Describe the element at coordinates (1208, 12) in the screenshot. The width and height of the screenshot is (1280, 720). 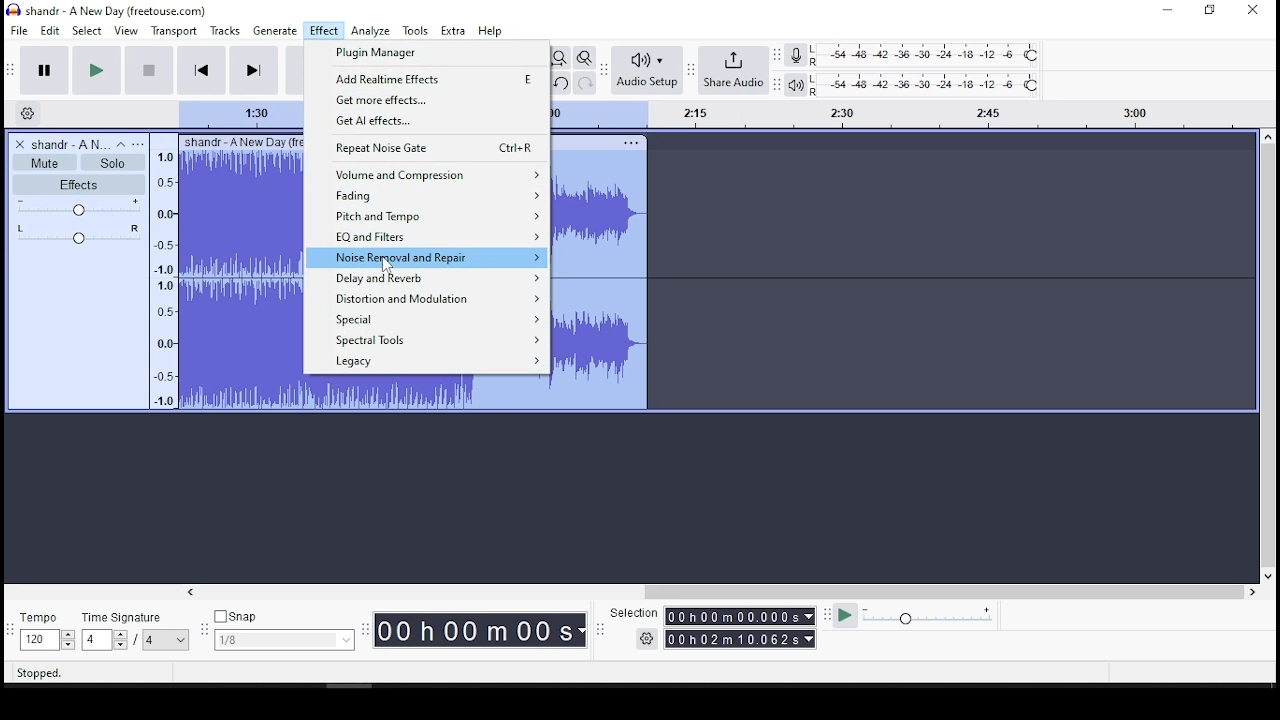
I see `restore` at that location.